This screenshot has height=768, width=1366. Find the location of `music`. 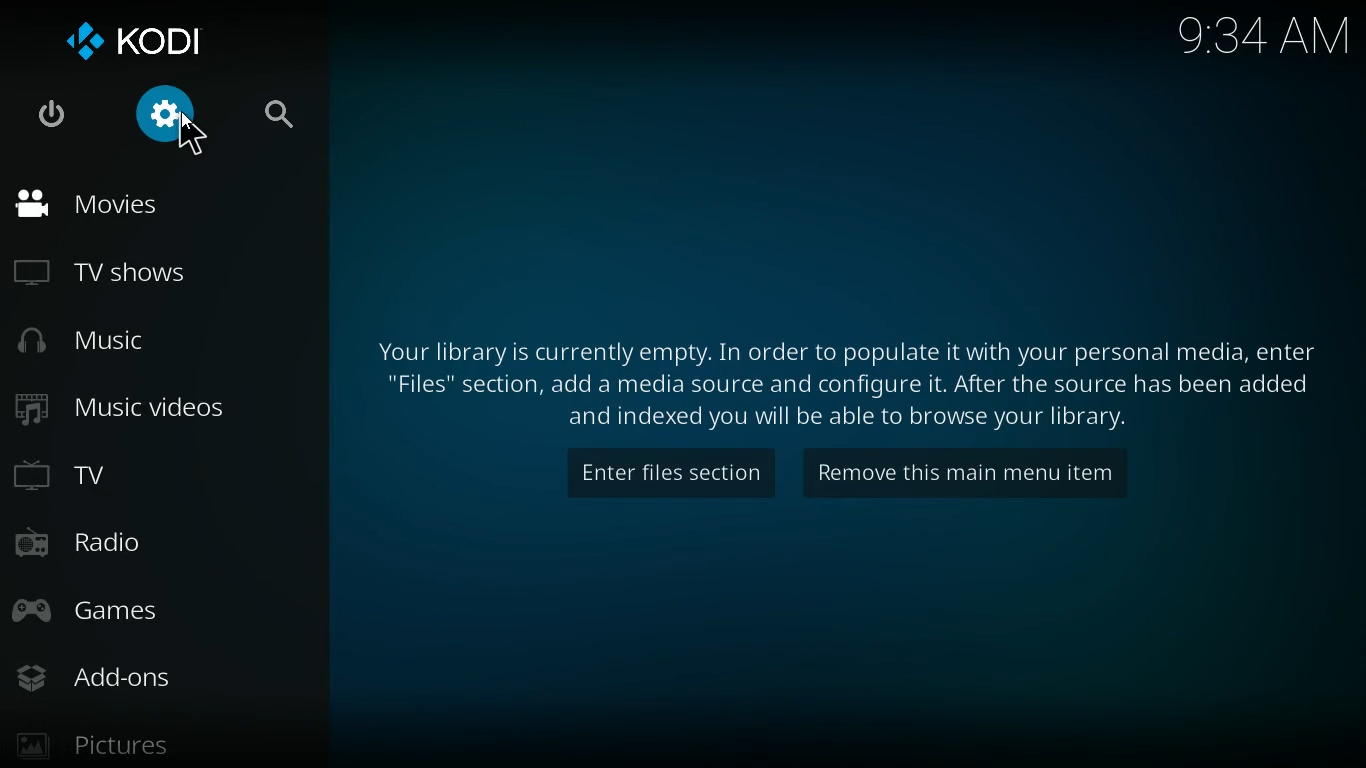

music is located at coordinates (115, 345).